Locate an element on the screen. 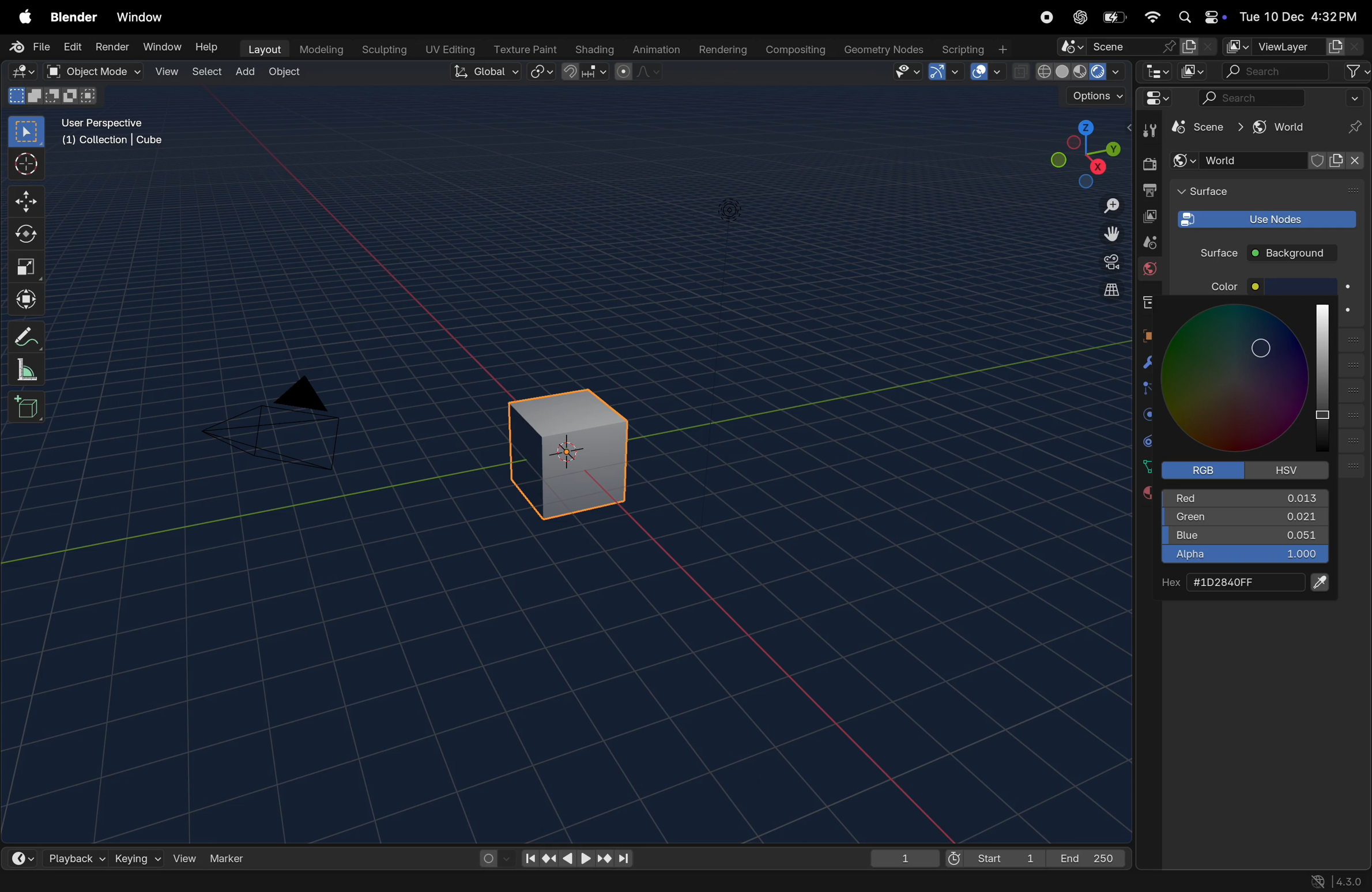 The width and height of the screenshot is (1372, 892). Help is located at coordinates (206, 44).